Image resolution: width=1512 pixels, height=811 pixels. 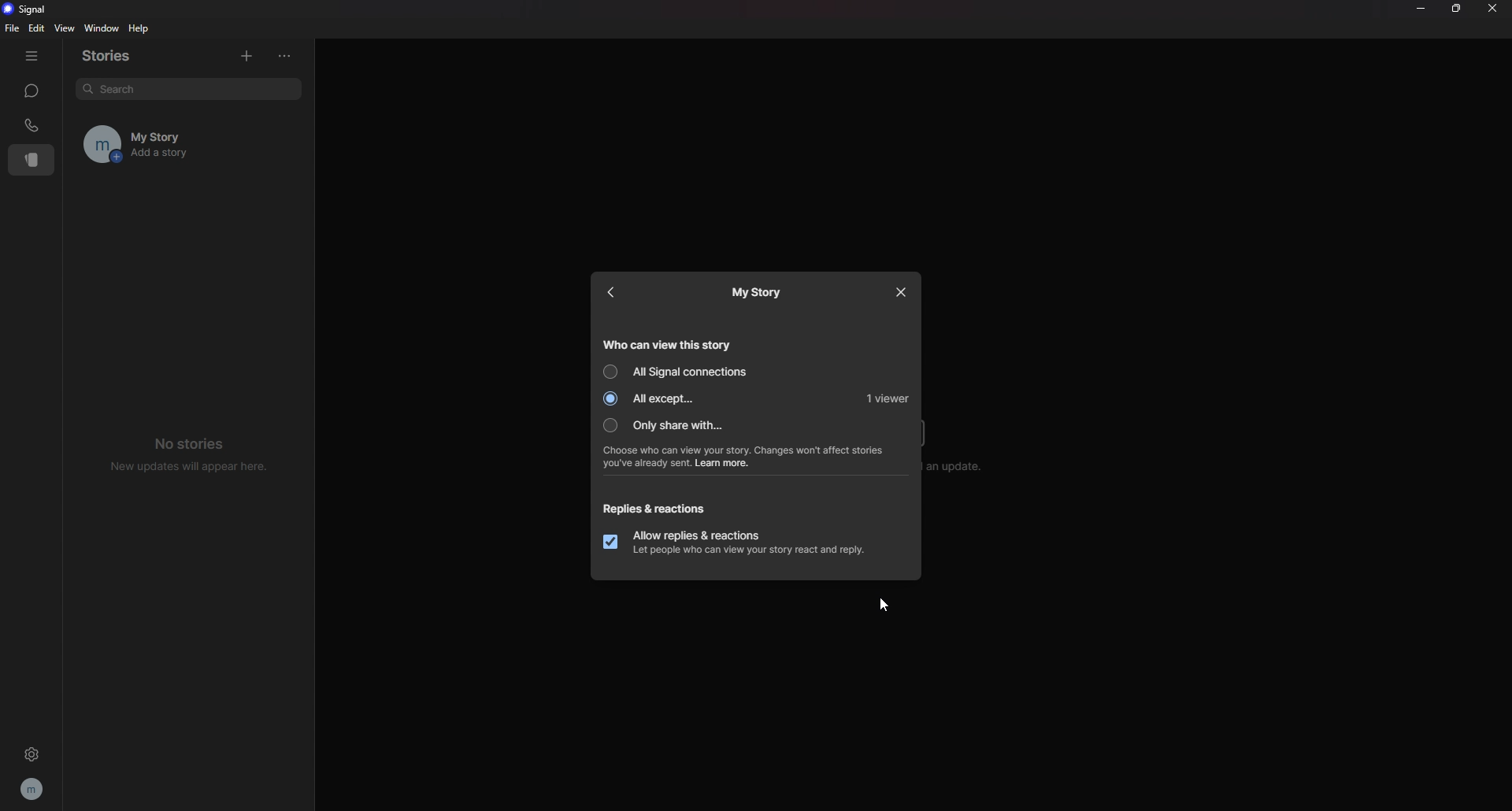 What do you see at coordinates (671, 424) in the screenshot?
I see `only share with` at bounding box center [671, 424].